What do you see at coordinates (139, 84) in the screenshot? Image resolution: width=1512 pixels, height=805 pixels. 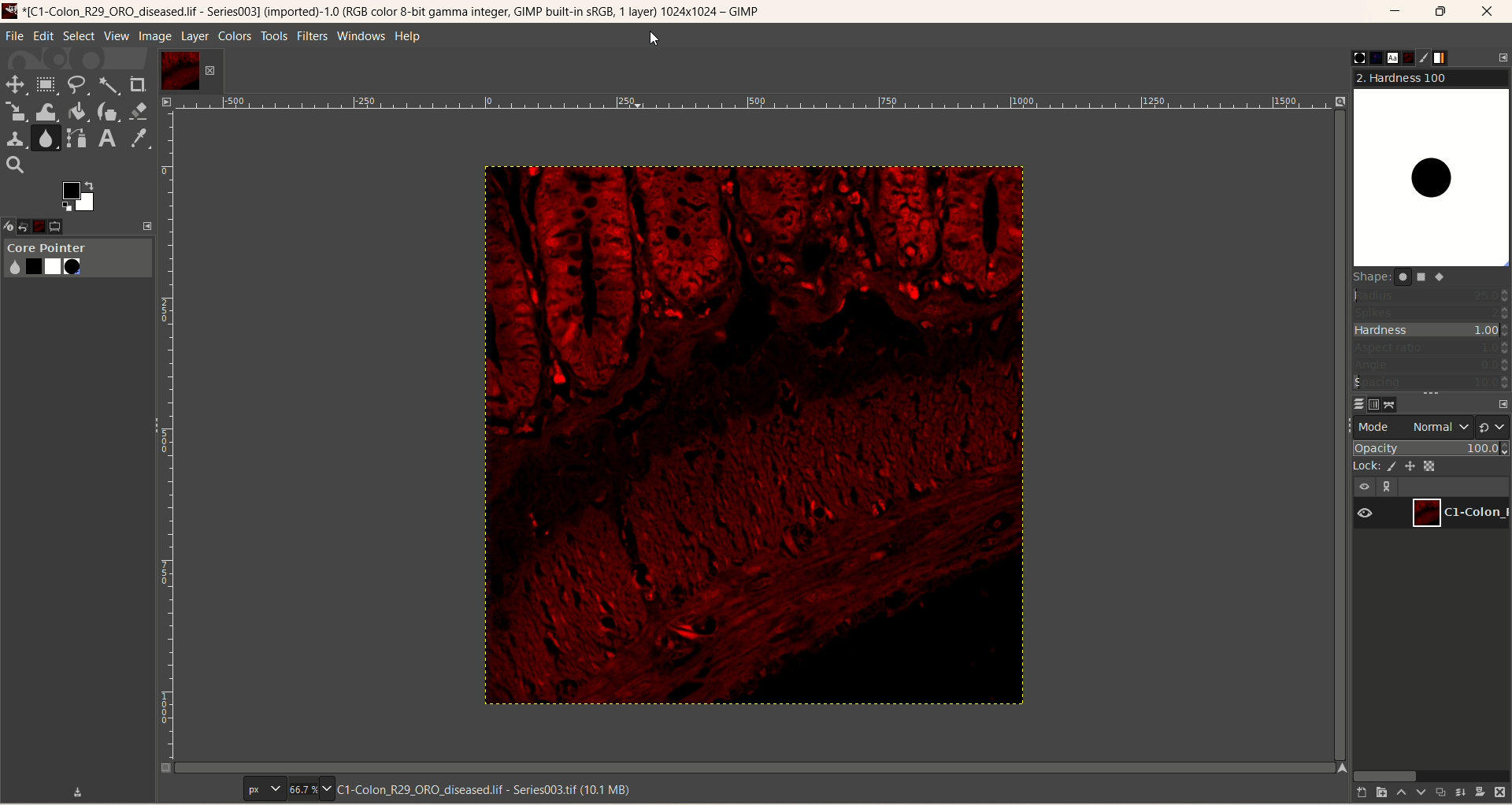 I see `crop tool` at bounding box center [139, 84].